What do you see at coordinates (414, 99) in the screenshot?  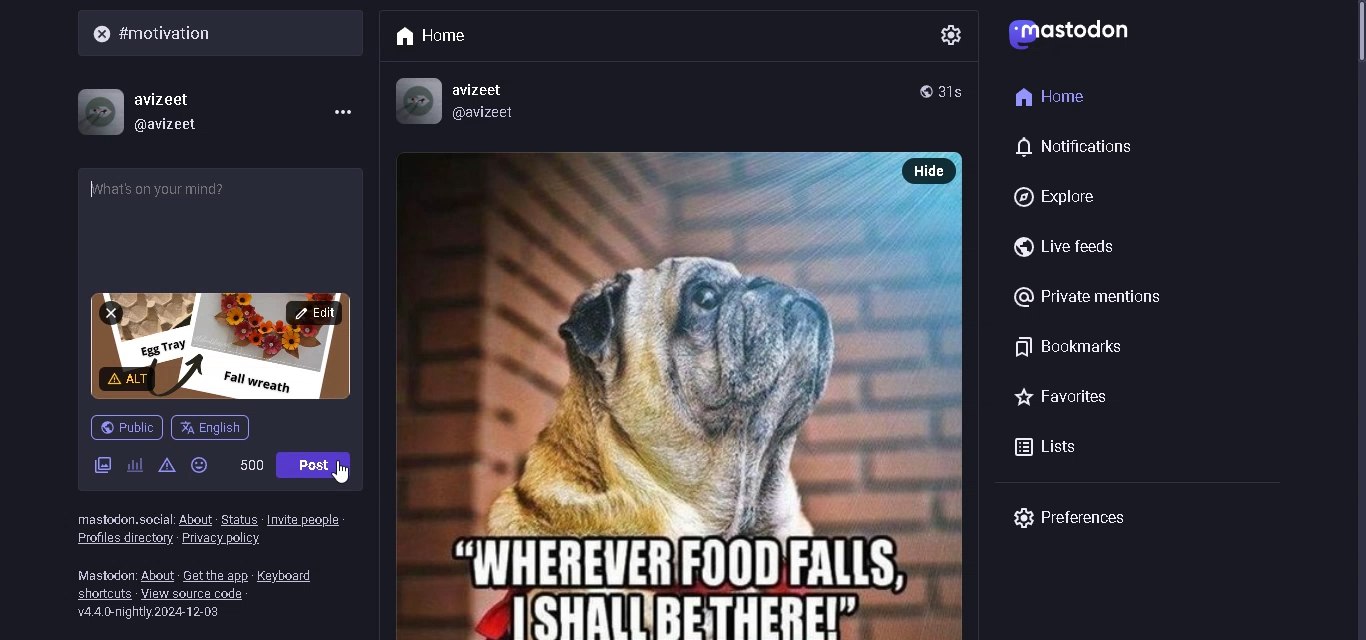 I see `profile picture` at bounding box center [414, 99].